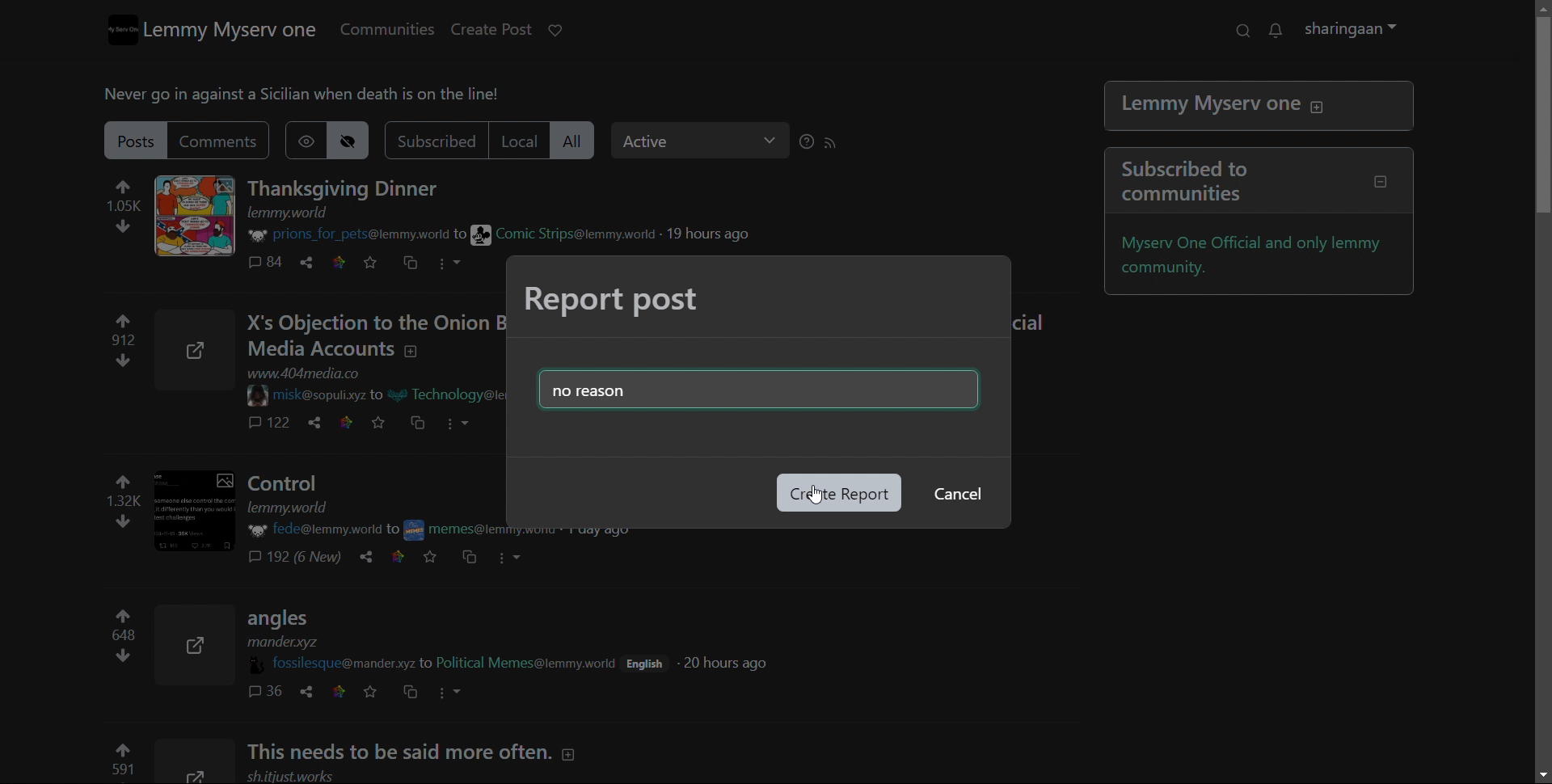 Image resolution: width=1552 pixels, height=784 pixels. What do you see at coordinates (1264, 182) in the screenshot?
I see `Subscribed to communities` at bounding box center [1264, 182].